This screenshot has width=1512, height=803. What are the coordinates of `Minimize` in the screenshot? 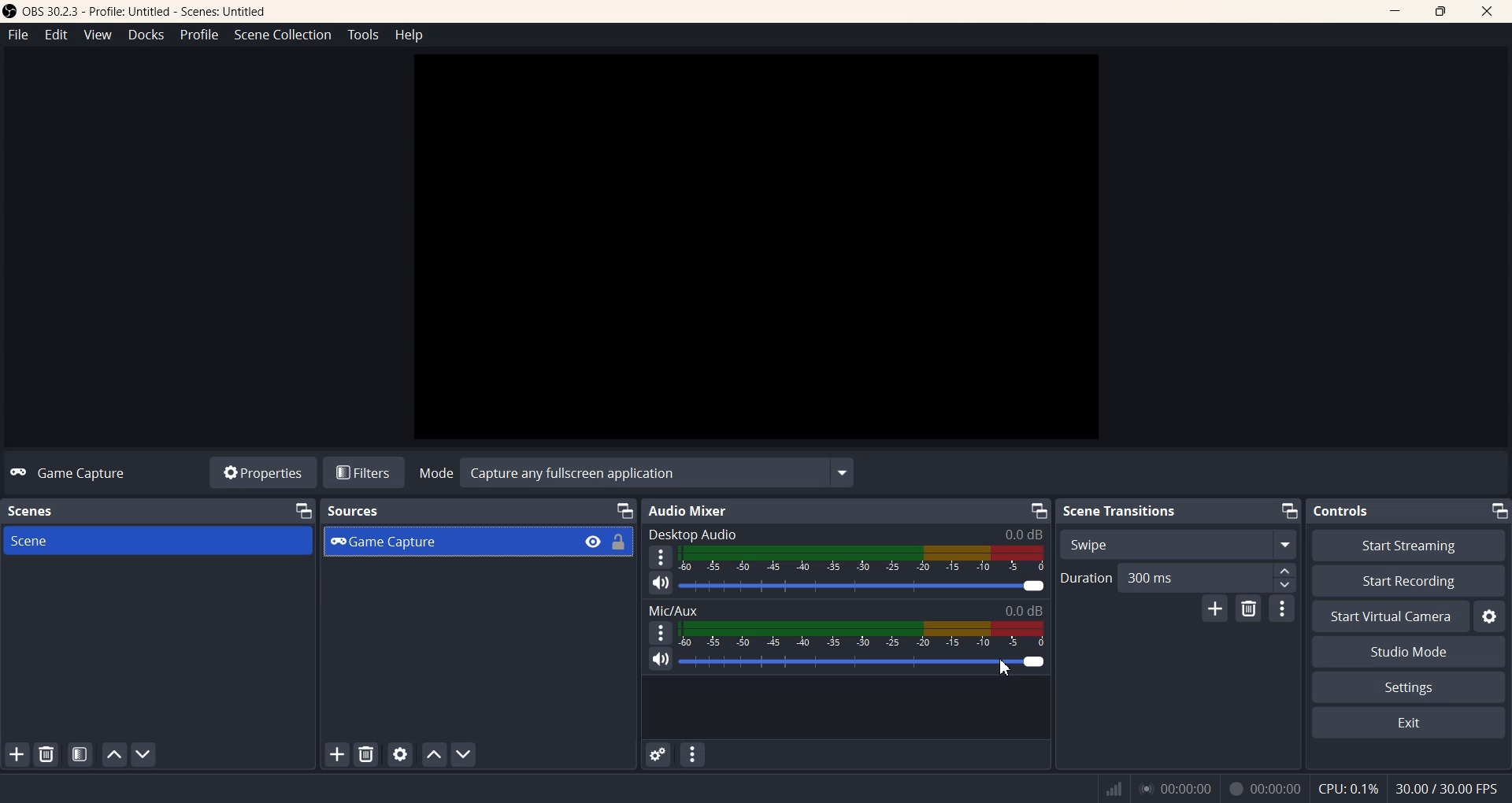 It's located at (1288, 511).